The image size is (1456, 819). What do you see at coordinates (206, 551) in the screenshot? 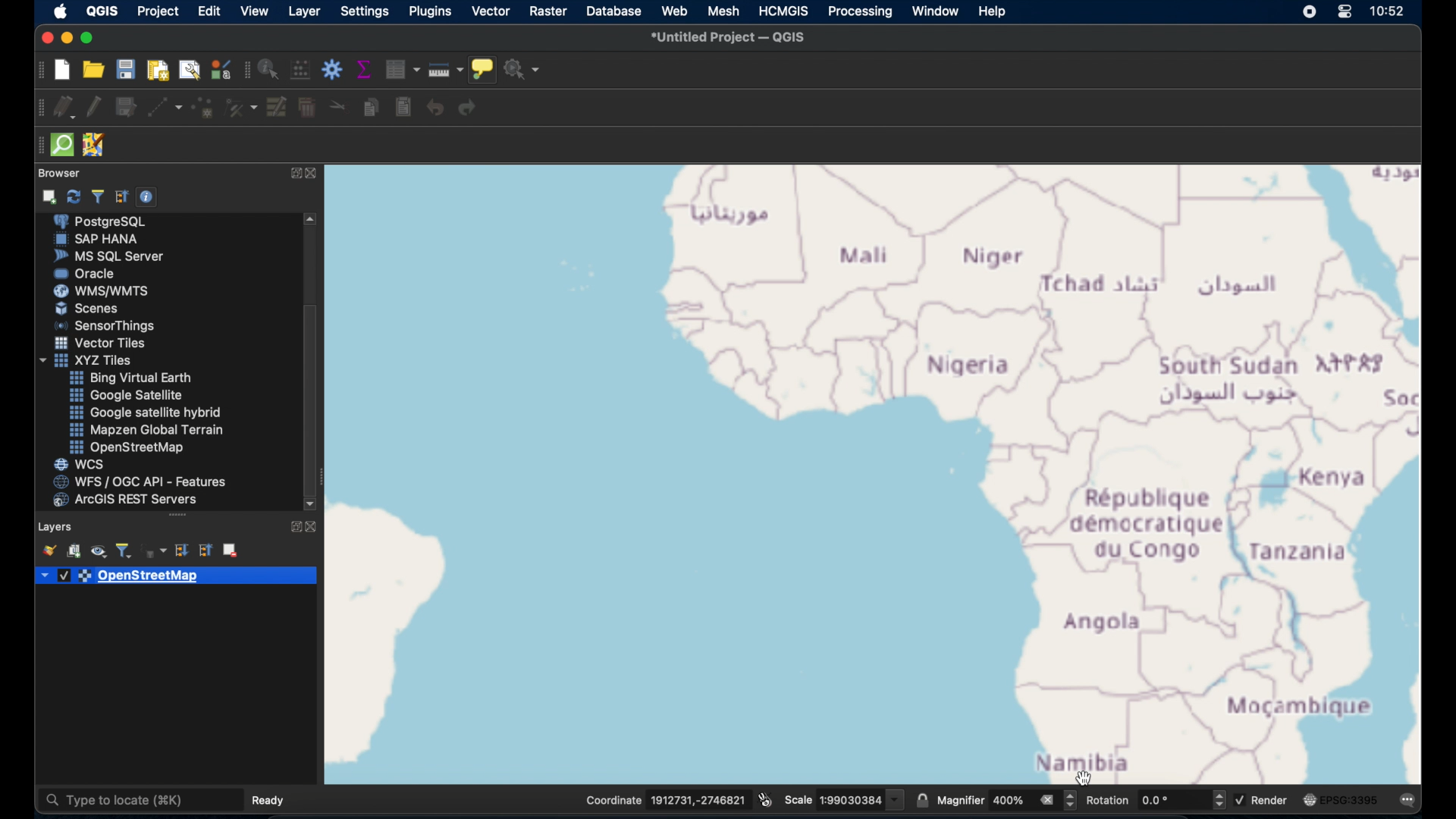
I see `collapse all` at bounding box center [206, 551].